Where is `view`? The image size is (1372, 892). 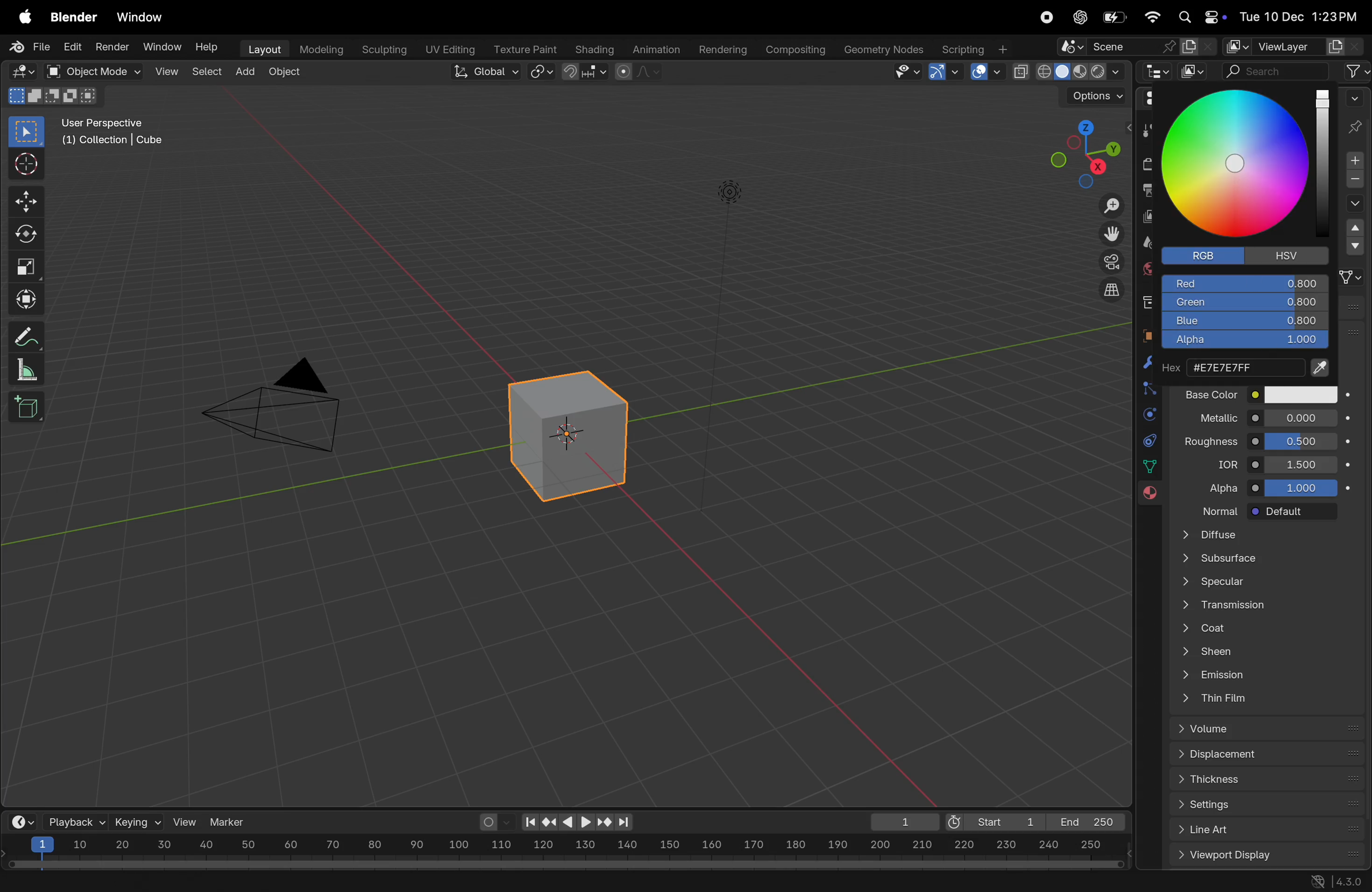 view is located at coordinates (186, 822).